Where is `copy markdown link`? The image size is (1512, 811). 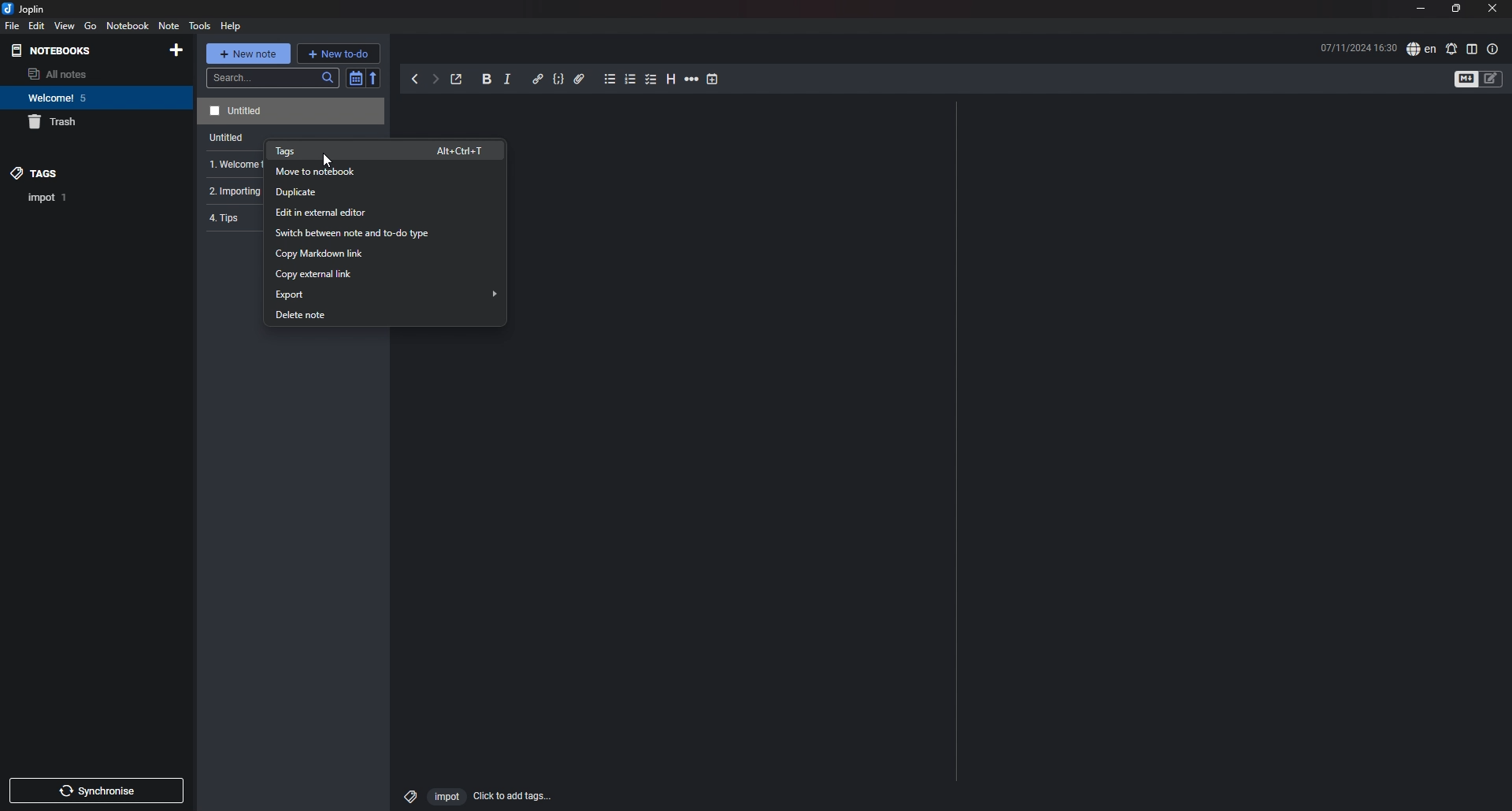 copy markdown link is located at coordinates (384, 254).